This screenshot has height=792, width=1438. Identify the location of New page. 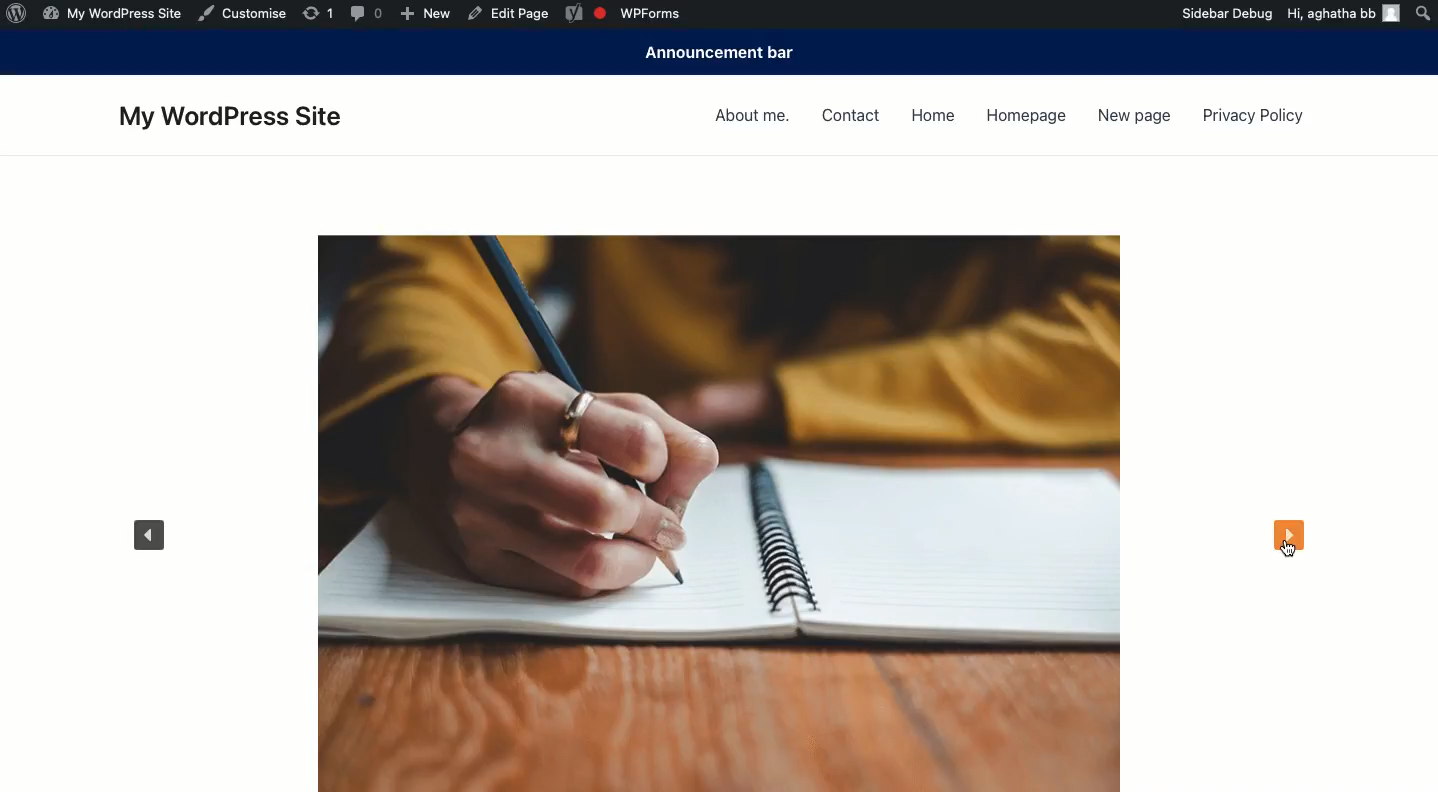
(1129, 117).